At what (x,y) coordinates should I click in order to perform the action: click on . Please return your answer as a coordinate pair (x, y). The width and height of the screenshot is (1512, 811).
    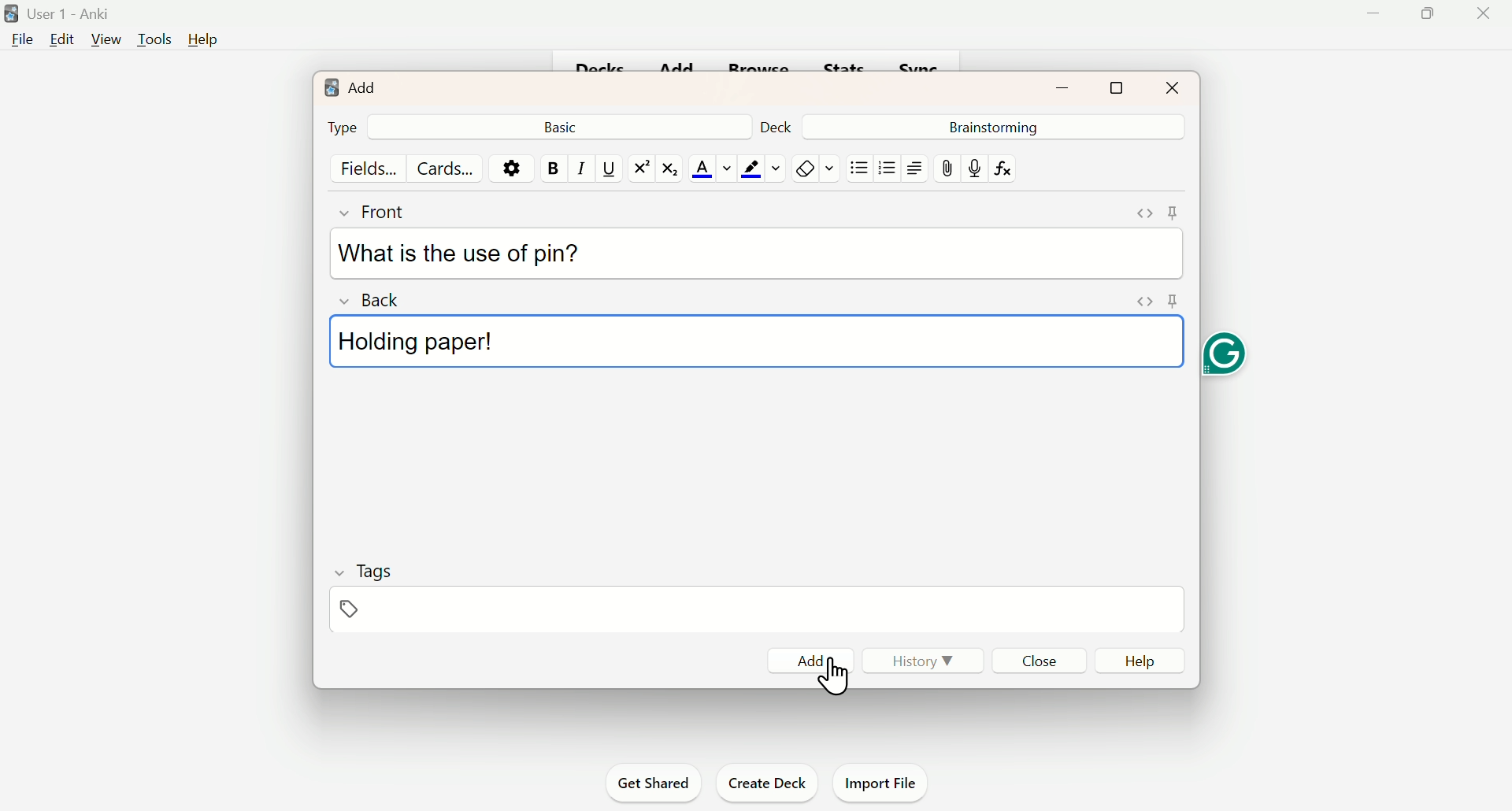
    Looking at the image, I should click on (1177, 87).